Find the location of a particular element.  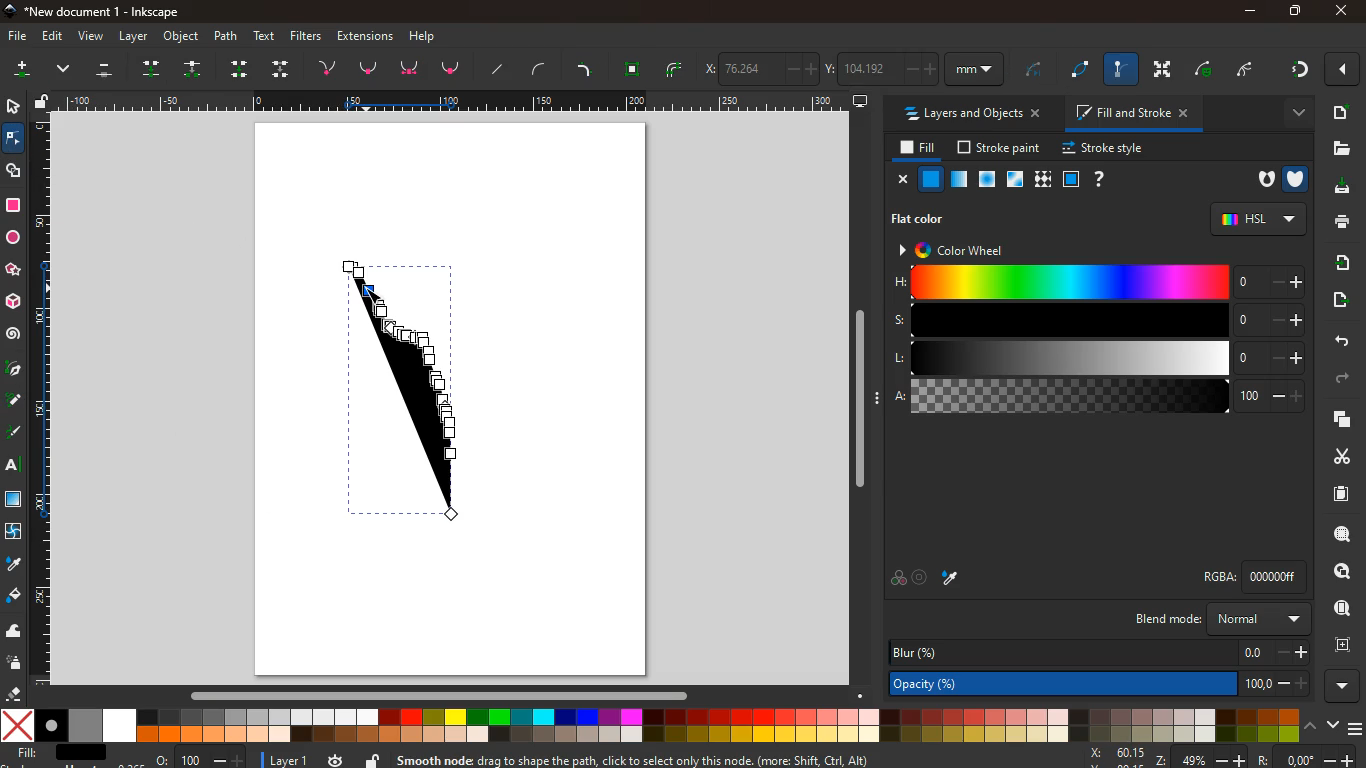

glass is located at coordinates (1017, 180).